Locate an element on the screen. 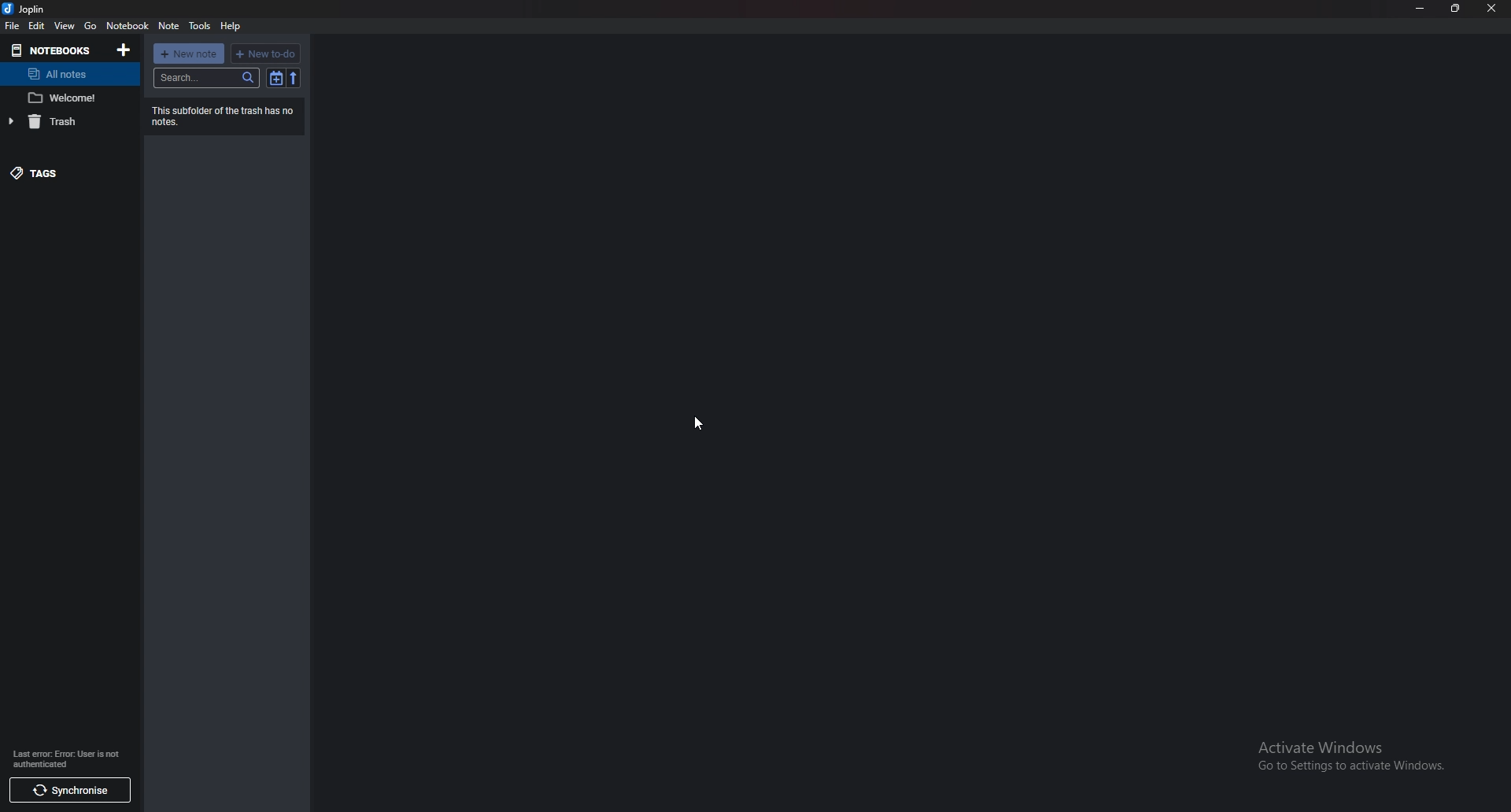 The image size is (1511, 812). go is located at coordinates (92, 26).